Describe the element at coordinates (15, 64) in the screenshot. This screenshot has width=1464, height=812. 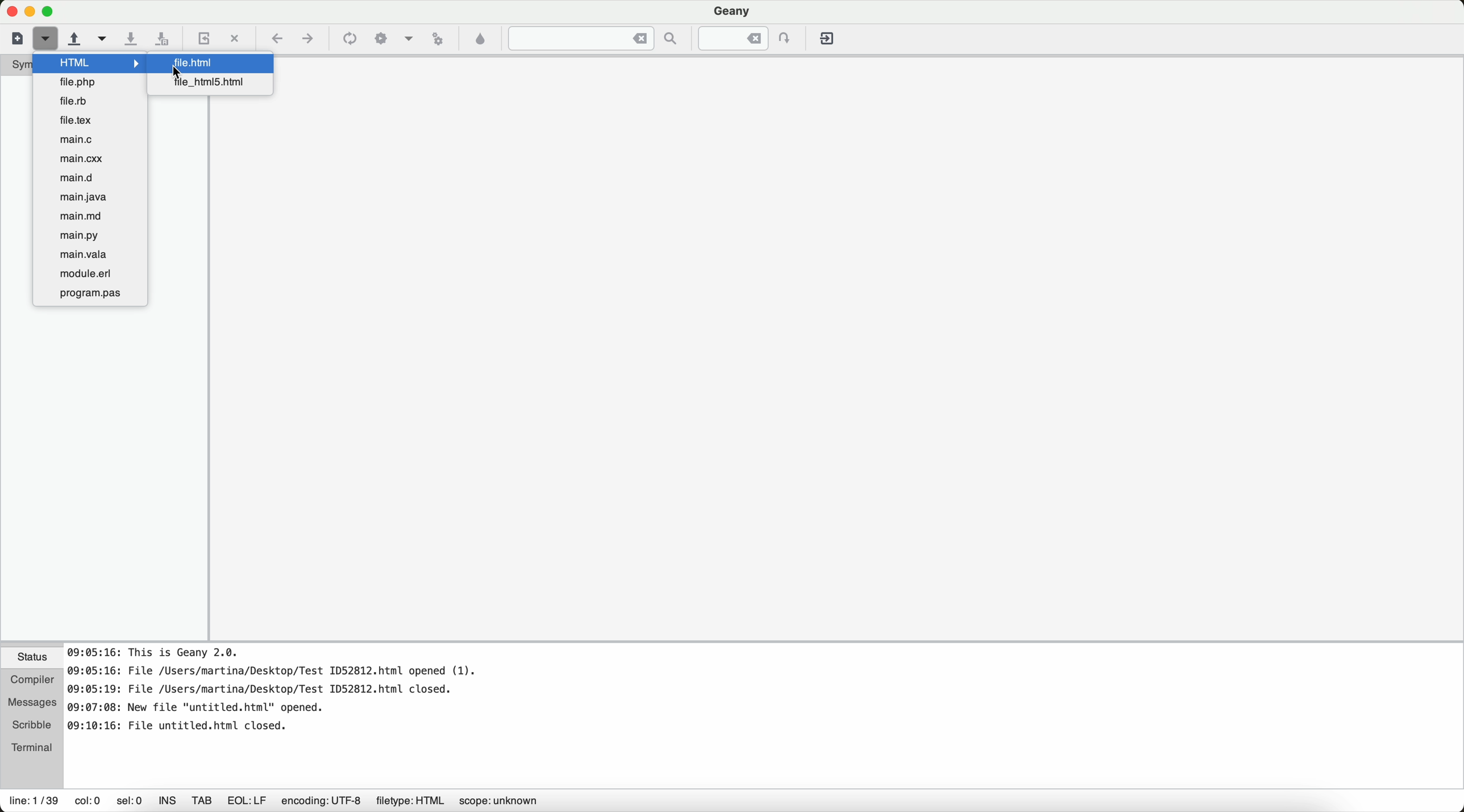
I see `symbols` at that location.